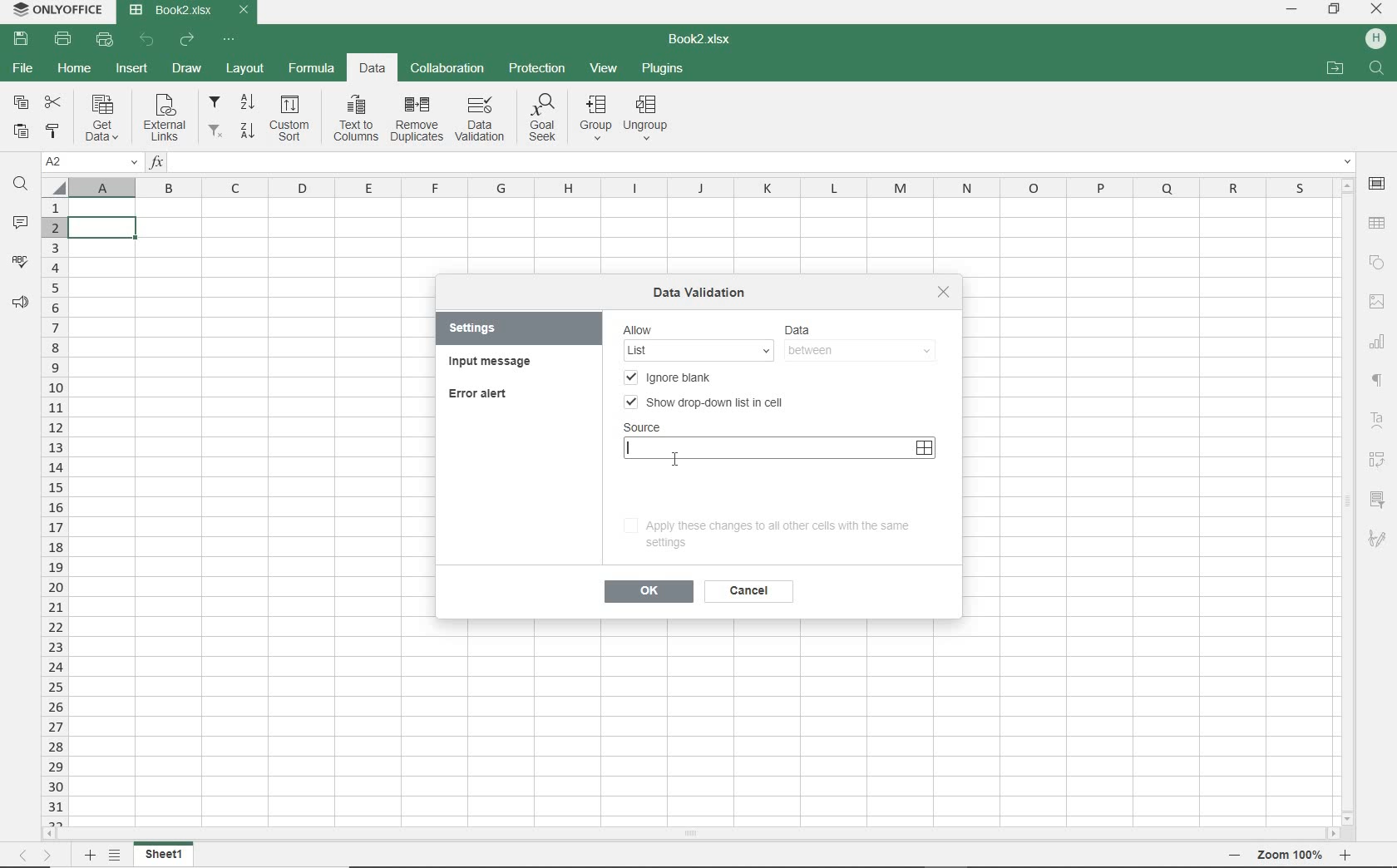  What do you see at coordinates (1378, 223) in the screenshot?
I see `TABLE` at bounding box center [1378, 223].